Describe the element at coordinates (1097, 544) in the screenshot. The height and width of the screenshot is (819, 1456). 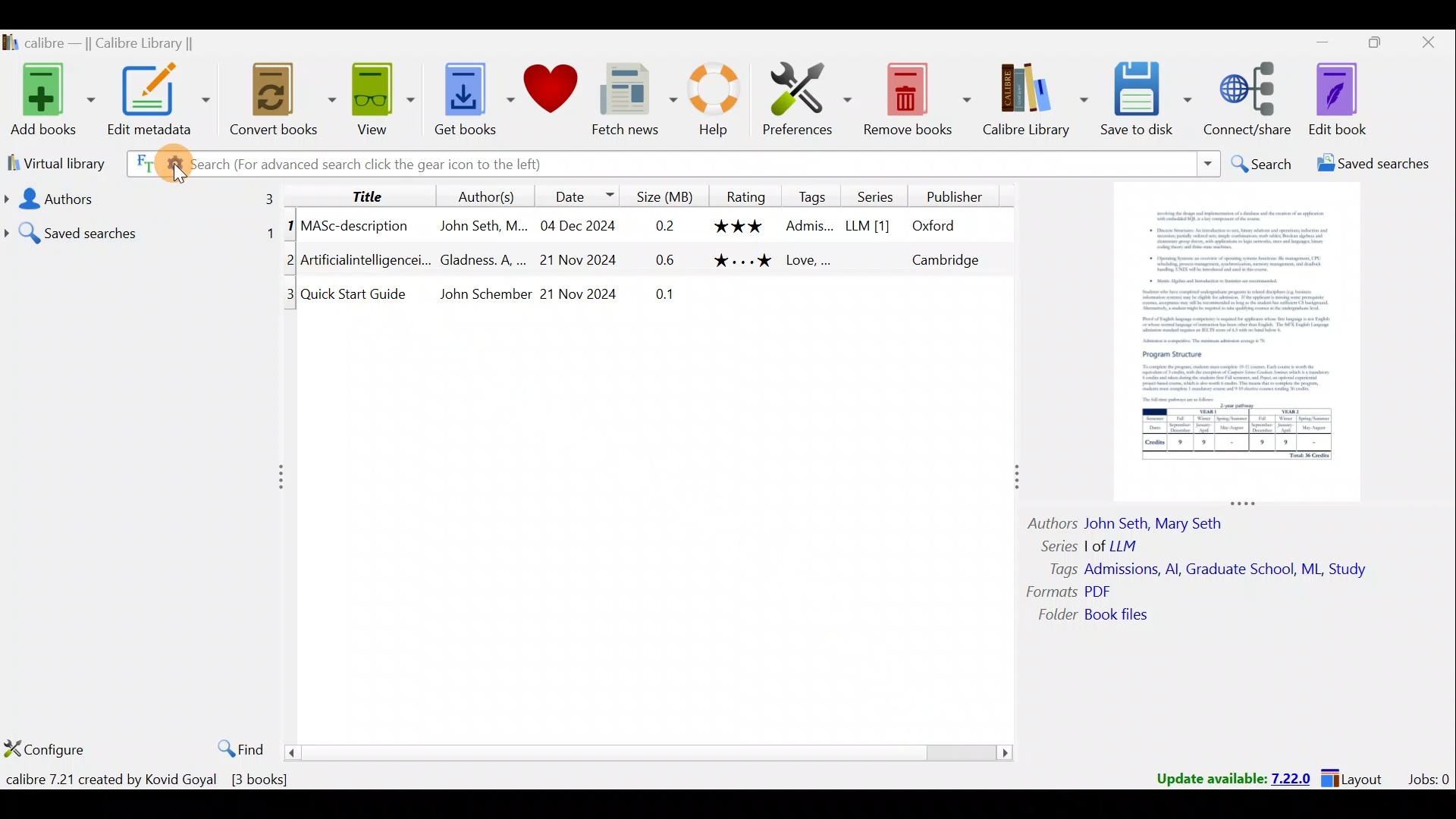
I see `Series | of LLM` at that location.